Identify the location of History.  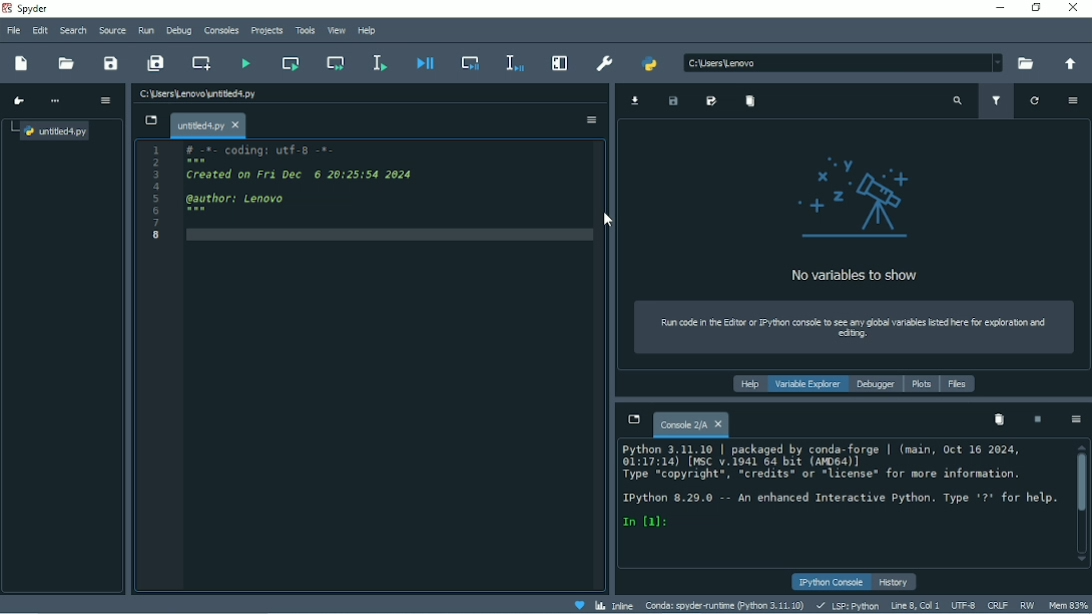
(898, 582).